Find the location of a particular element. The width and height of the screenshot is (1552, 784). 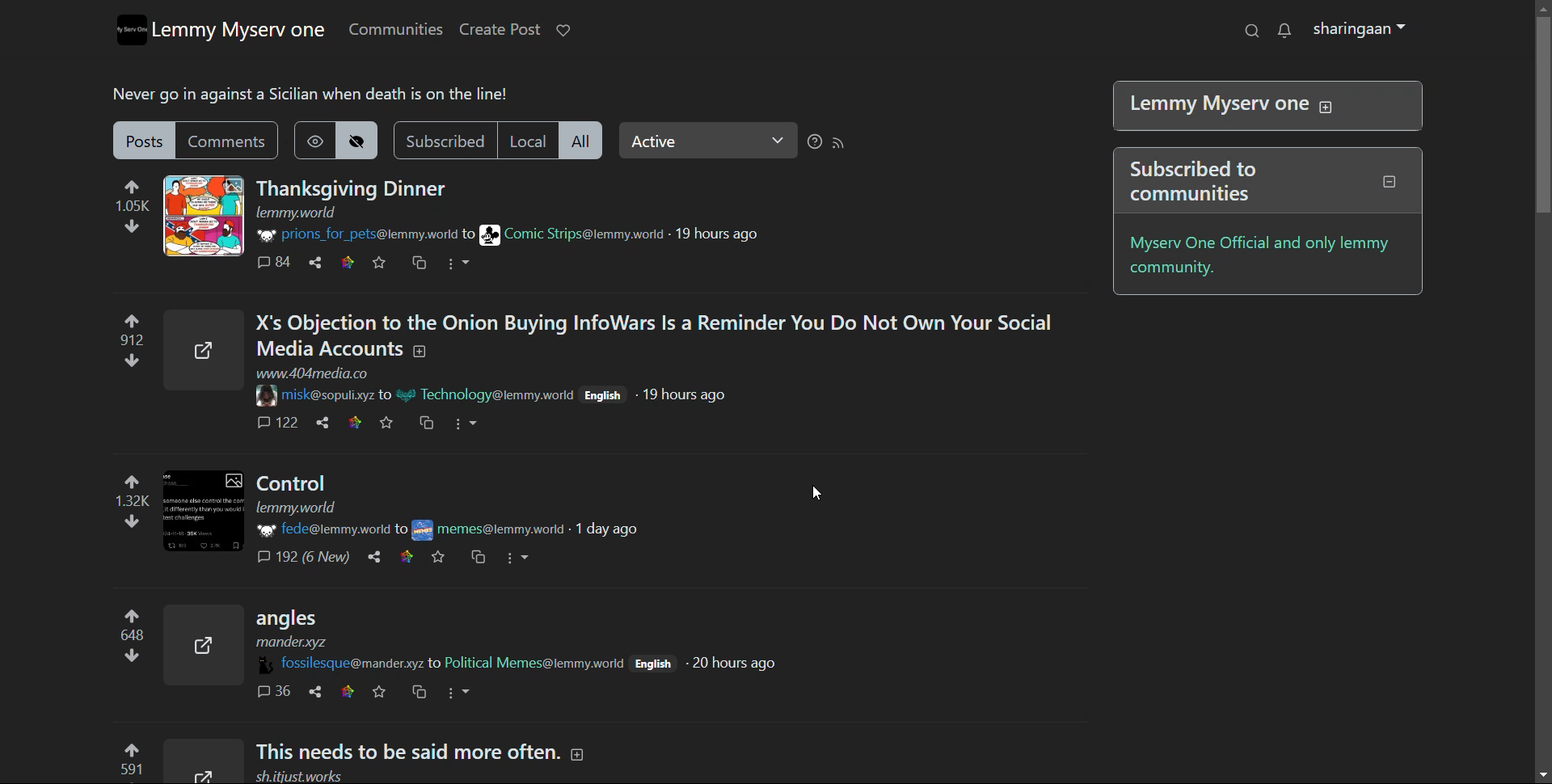

username is located at coordinates (339, 663).